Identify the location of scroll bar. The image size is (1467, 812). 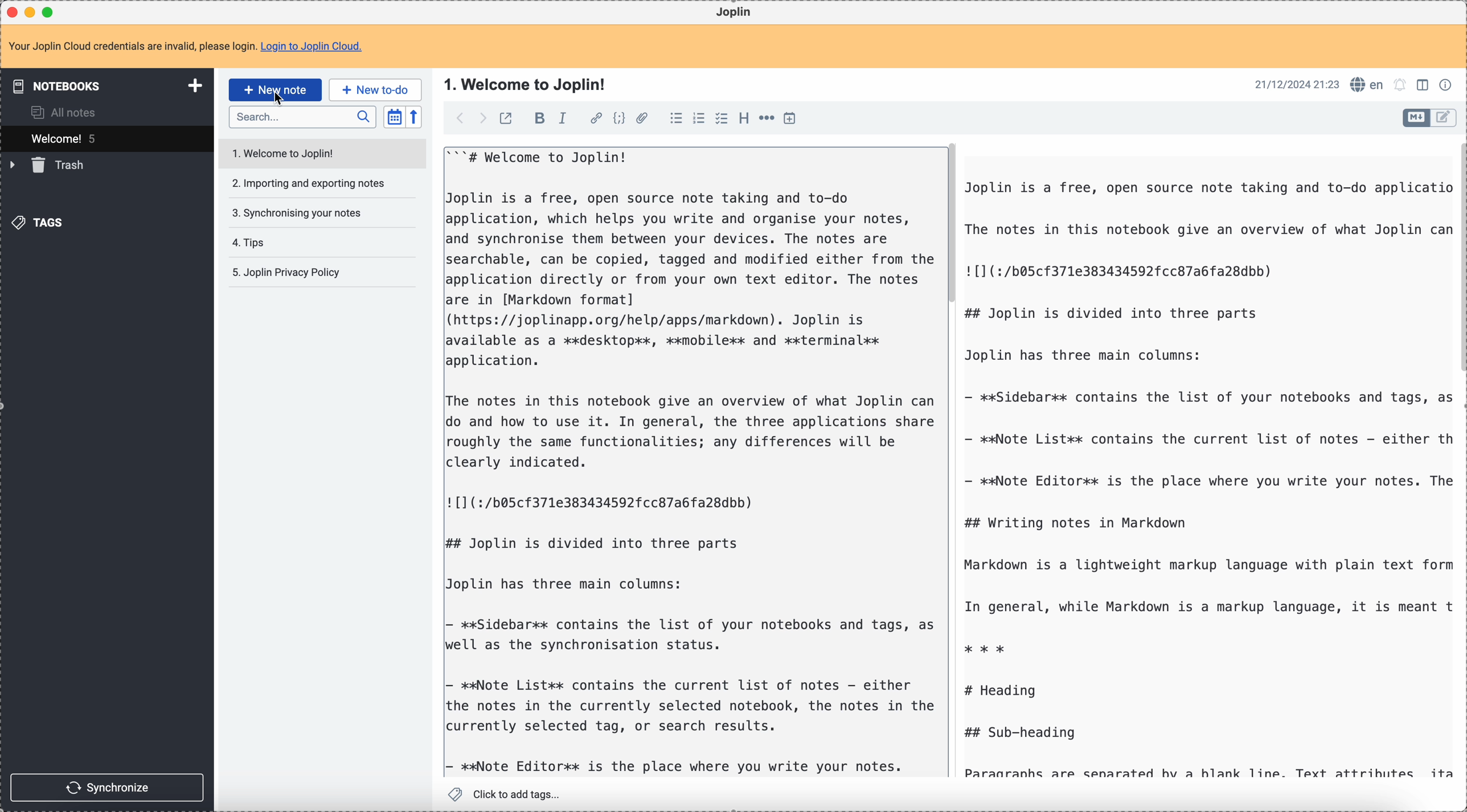
(953, 224).